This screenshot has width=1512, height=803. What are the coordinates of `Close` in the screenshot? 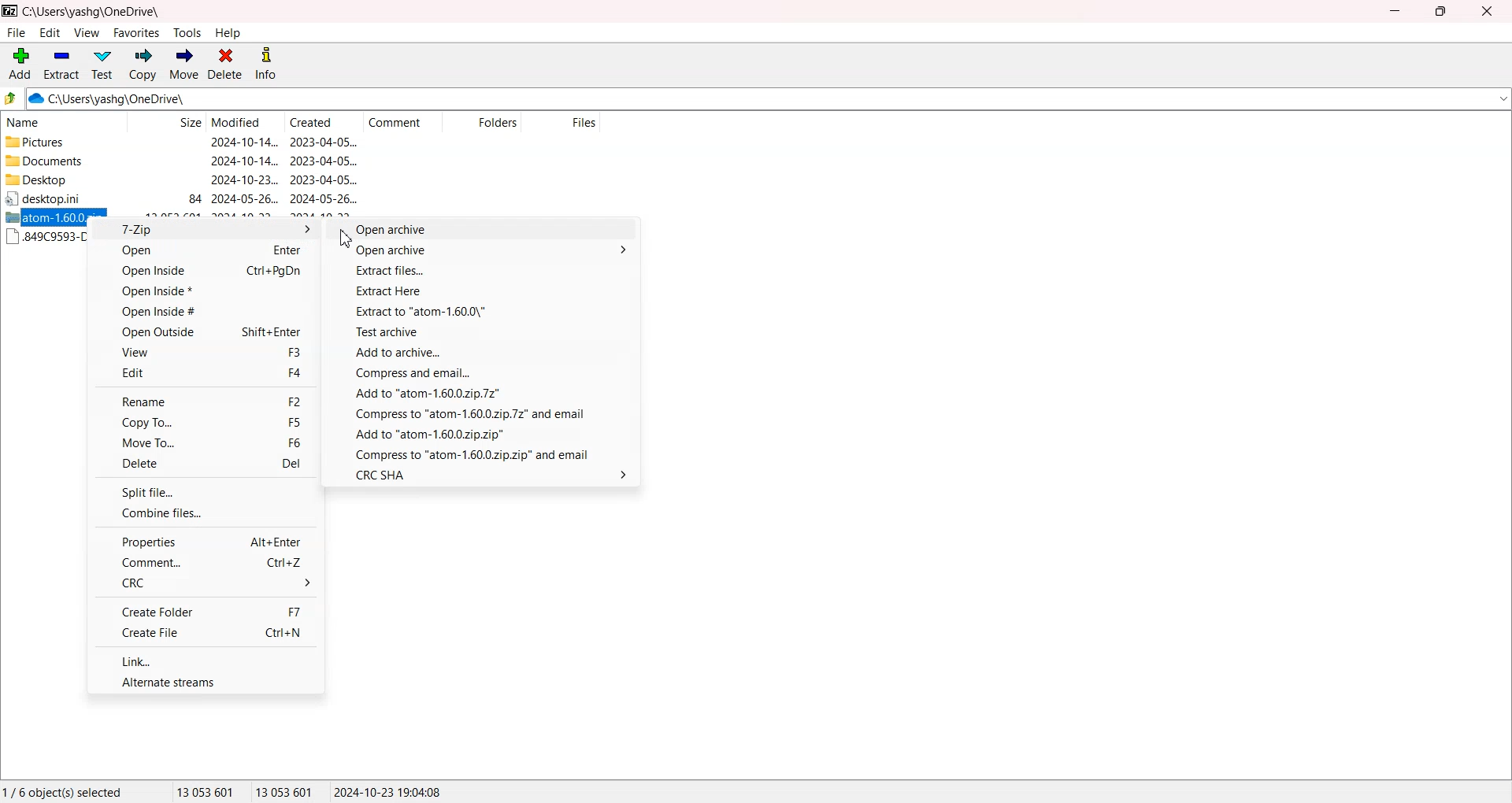 It's located at (1485, 11).